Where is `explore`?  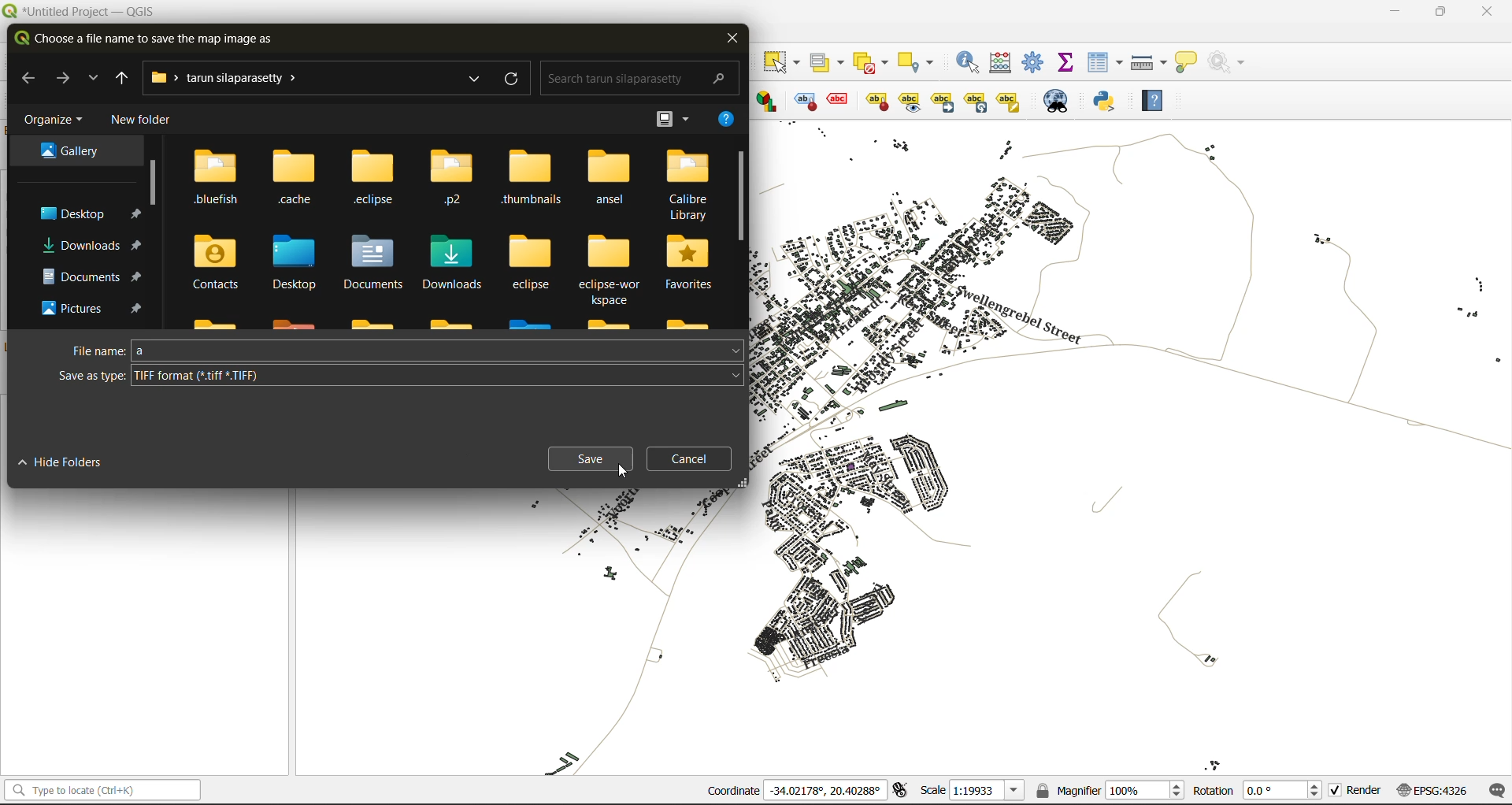 explore is located at coordinates (472, 80).